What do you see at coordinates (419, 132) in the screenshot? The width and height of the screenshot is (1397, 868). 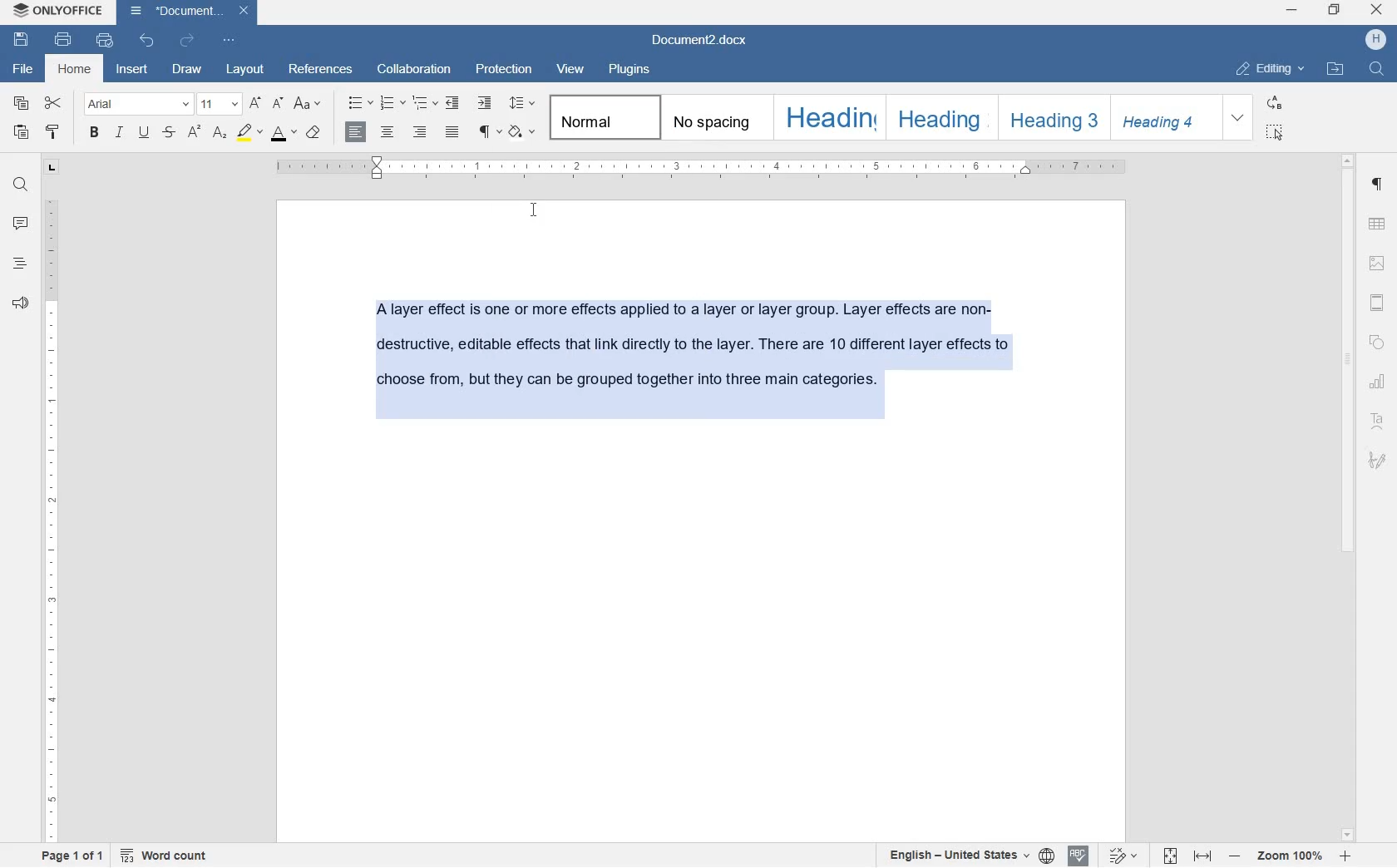 I see `align right` at bounding box center [419, 132].